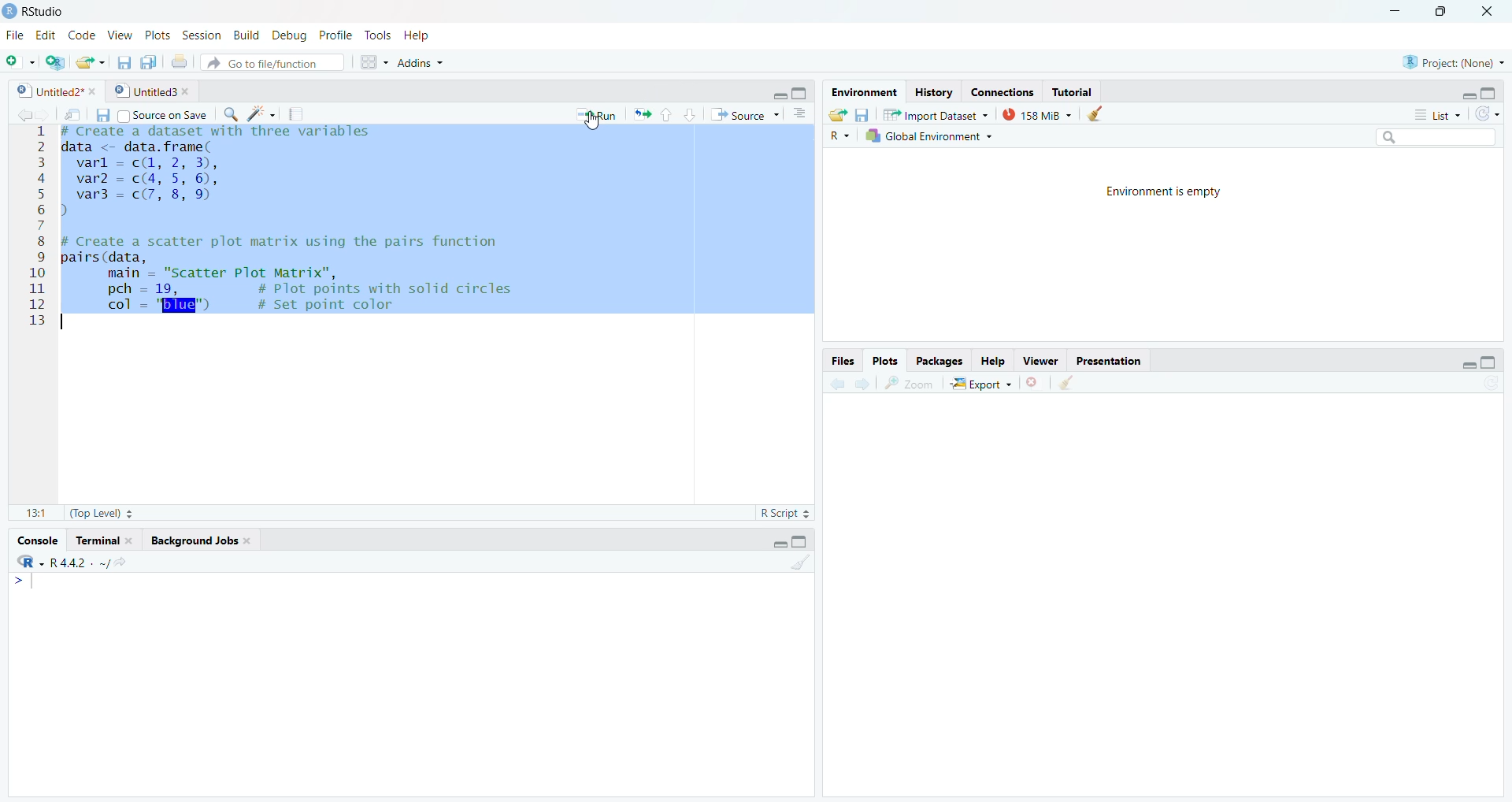 Image resolution: width=1512 pixels, height=802 pixels. Describe the element at coordinates (840, 135) in the screenshot. I see `Choose language` at that location.